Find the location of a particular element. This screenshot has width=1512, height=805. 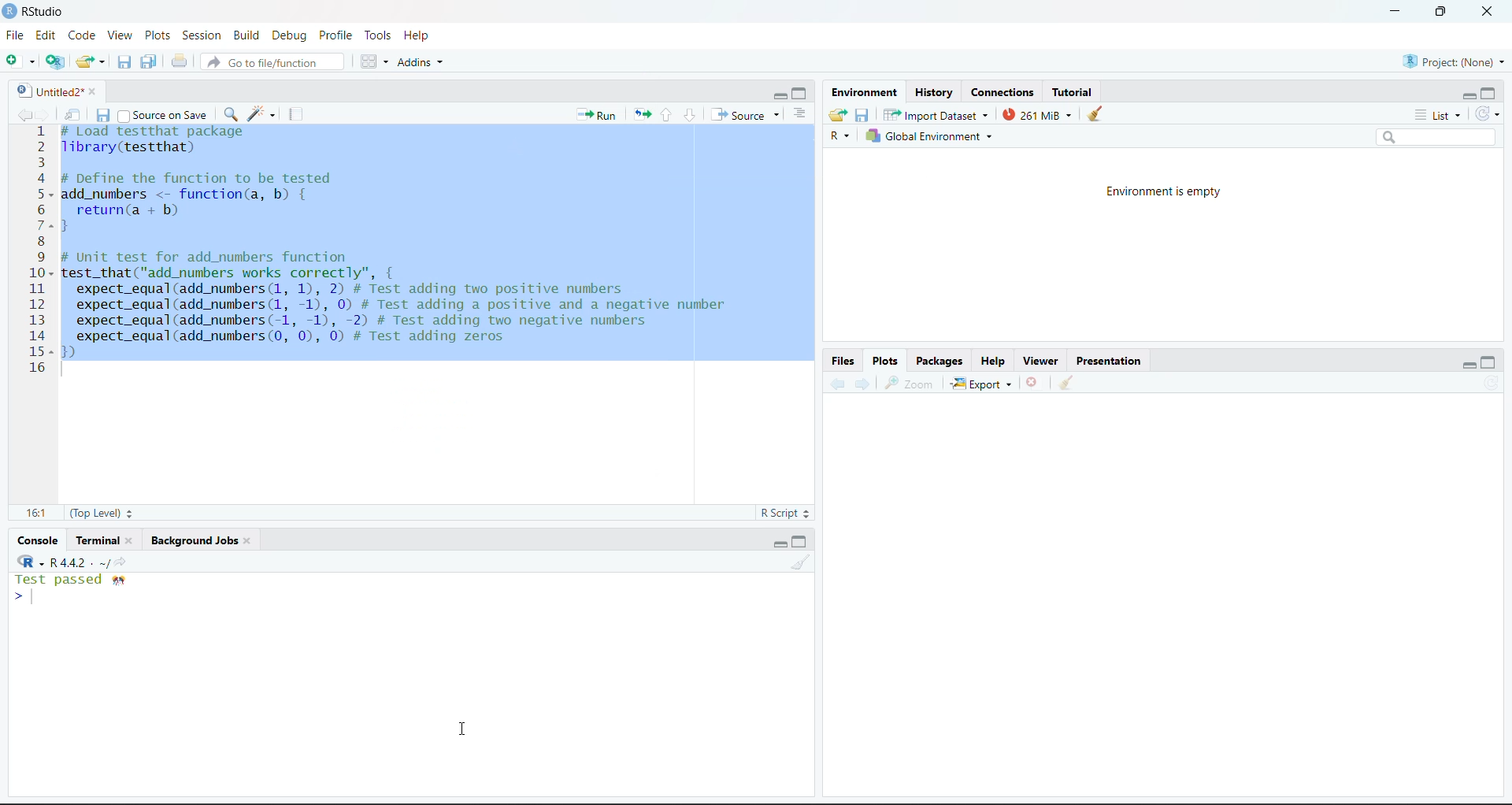

Plots is located at coordinates (884, 361).